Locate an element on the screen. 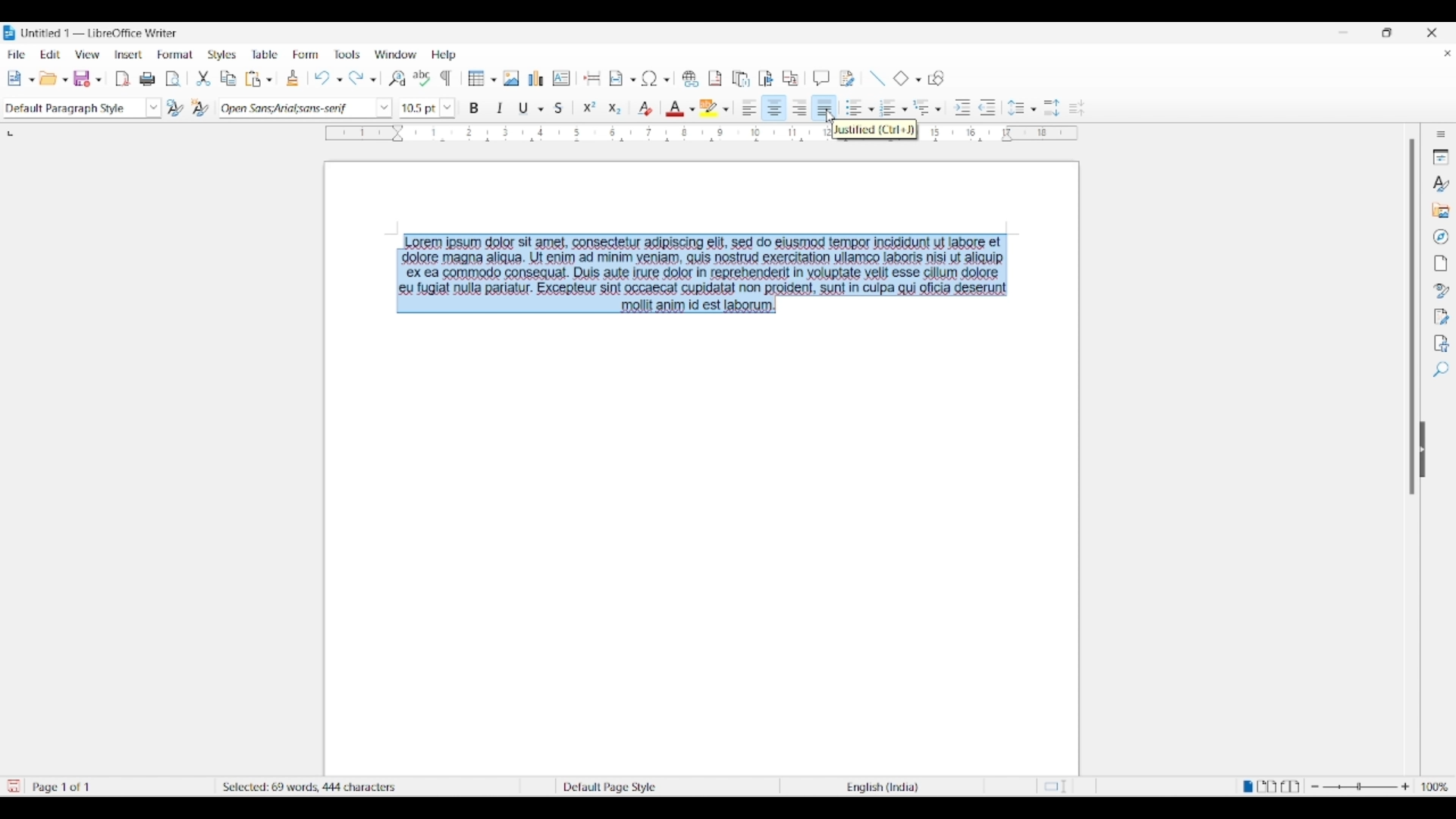  Basic shape options is located at coordinates (915, 80).